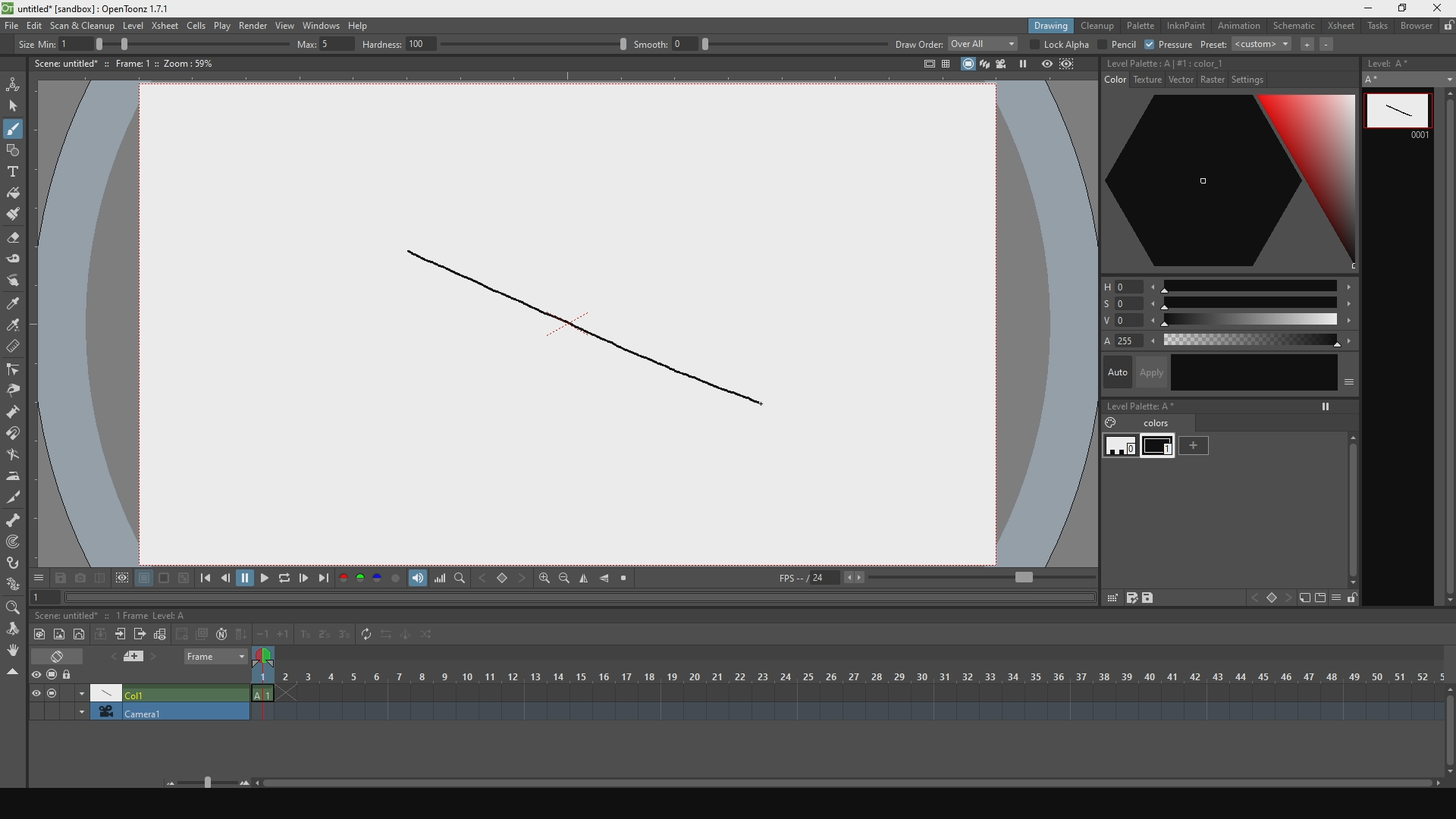 The height and width of the screenshot is (819, 1456). I want to click on erase, so click(67, 657).